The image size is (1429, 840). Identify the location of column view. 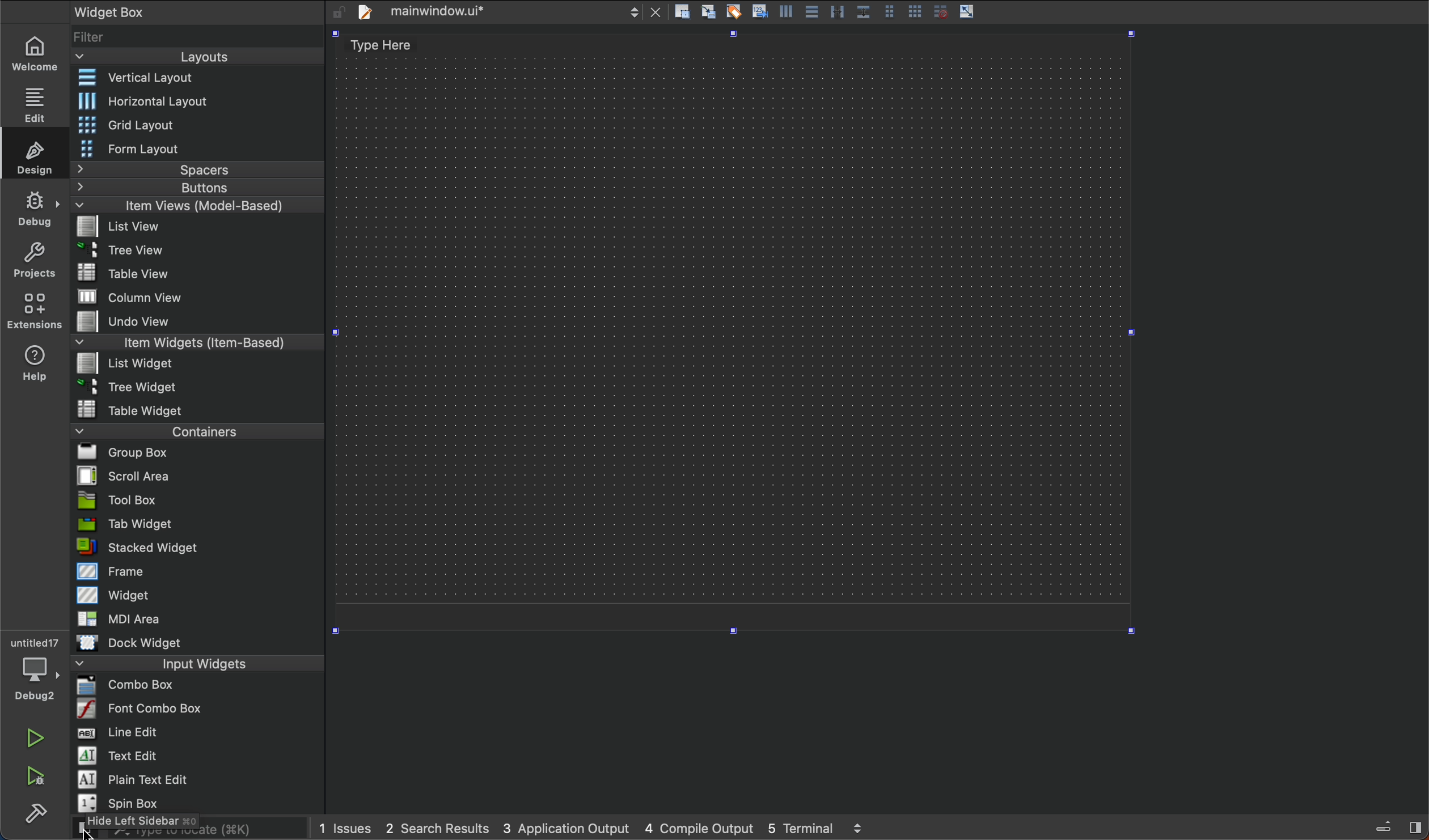
(139, 297).